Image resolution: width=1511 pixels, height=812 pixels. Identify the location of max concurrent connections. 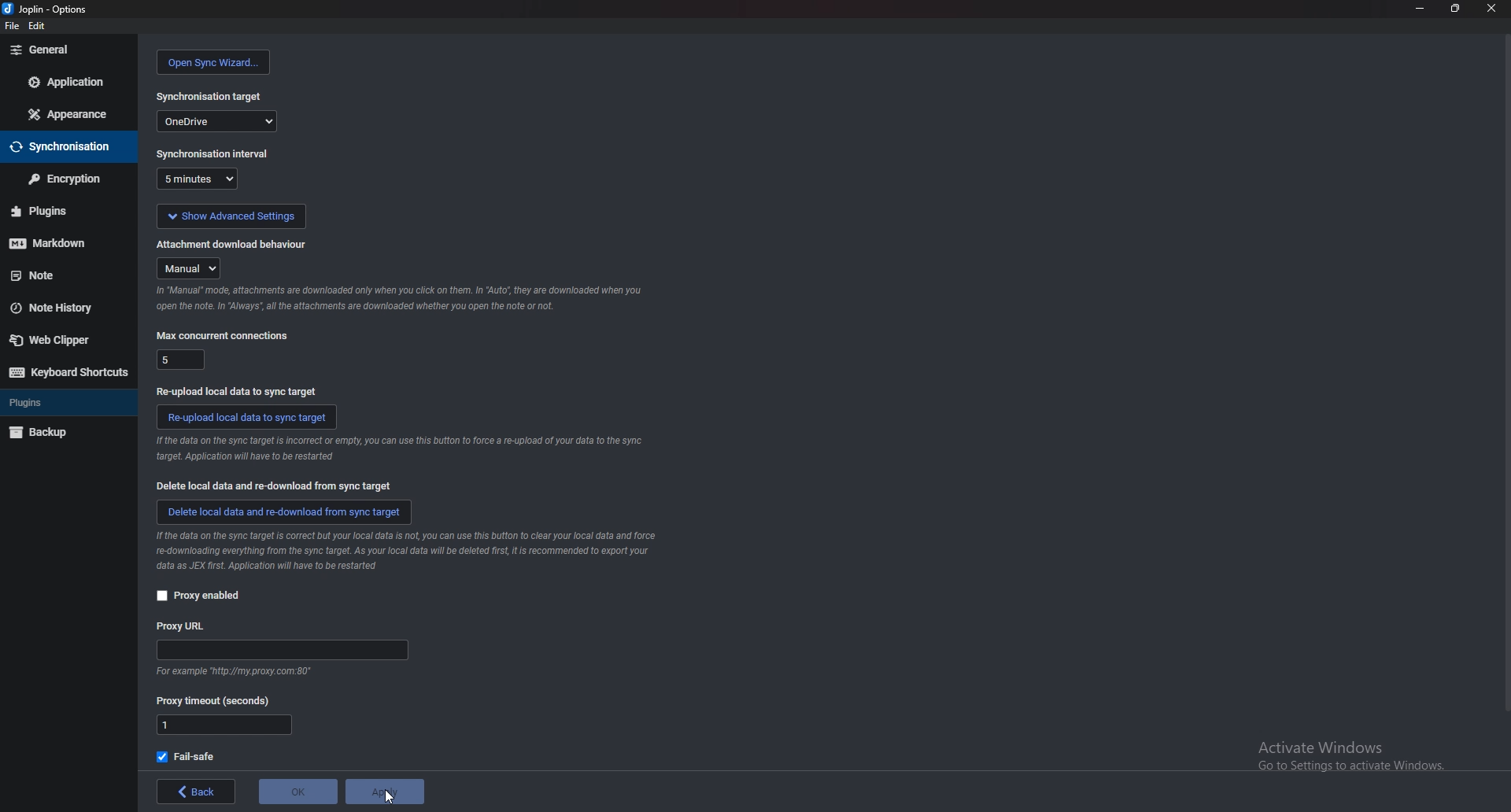
(224, 335).